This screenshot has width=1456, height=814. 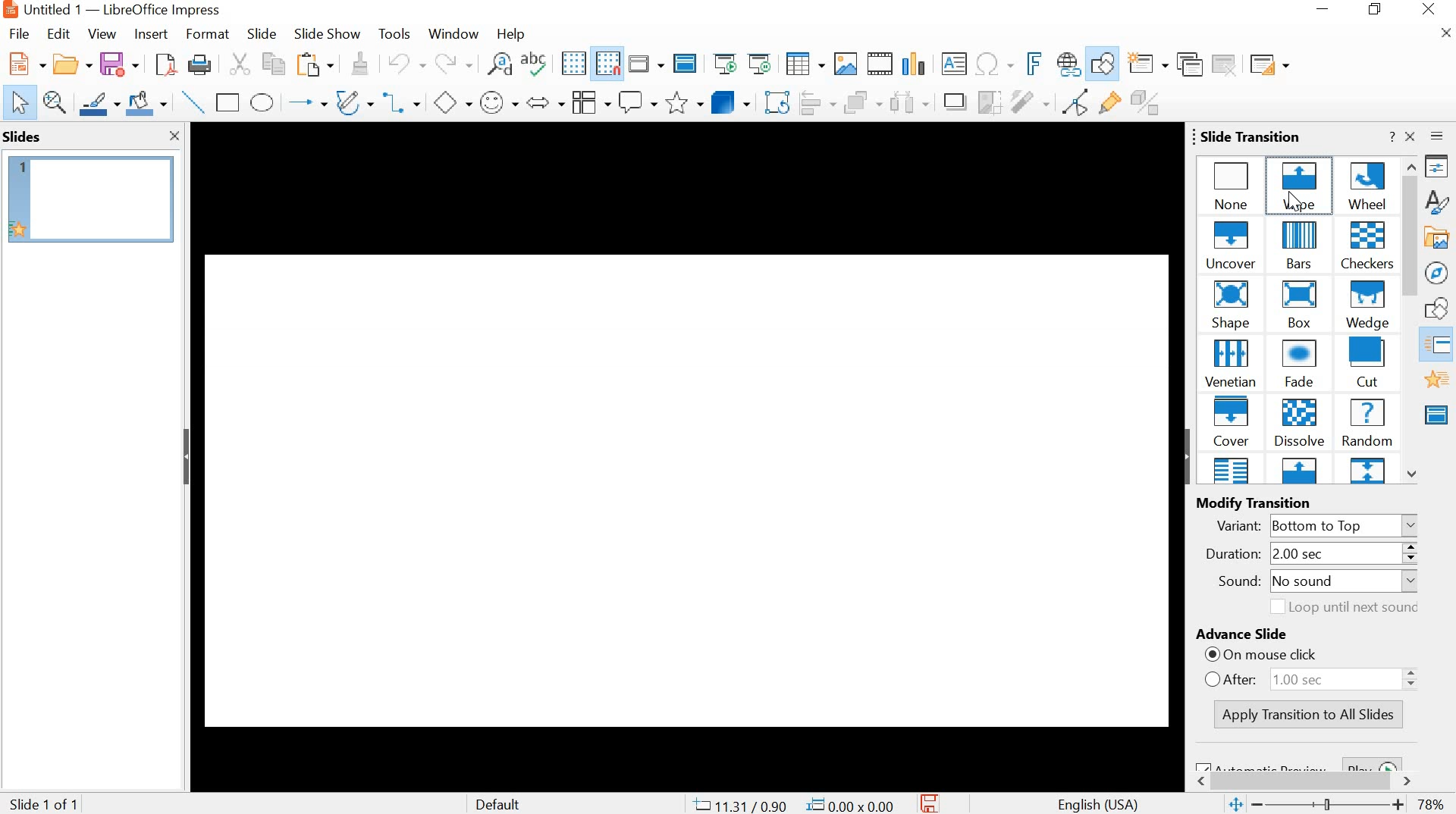 I want to click on GALLERY, so click(x=1436, y=236).